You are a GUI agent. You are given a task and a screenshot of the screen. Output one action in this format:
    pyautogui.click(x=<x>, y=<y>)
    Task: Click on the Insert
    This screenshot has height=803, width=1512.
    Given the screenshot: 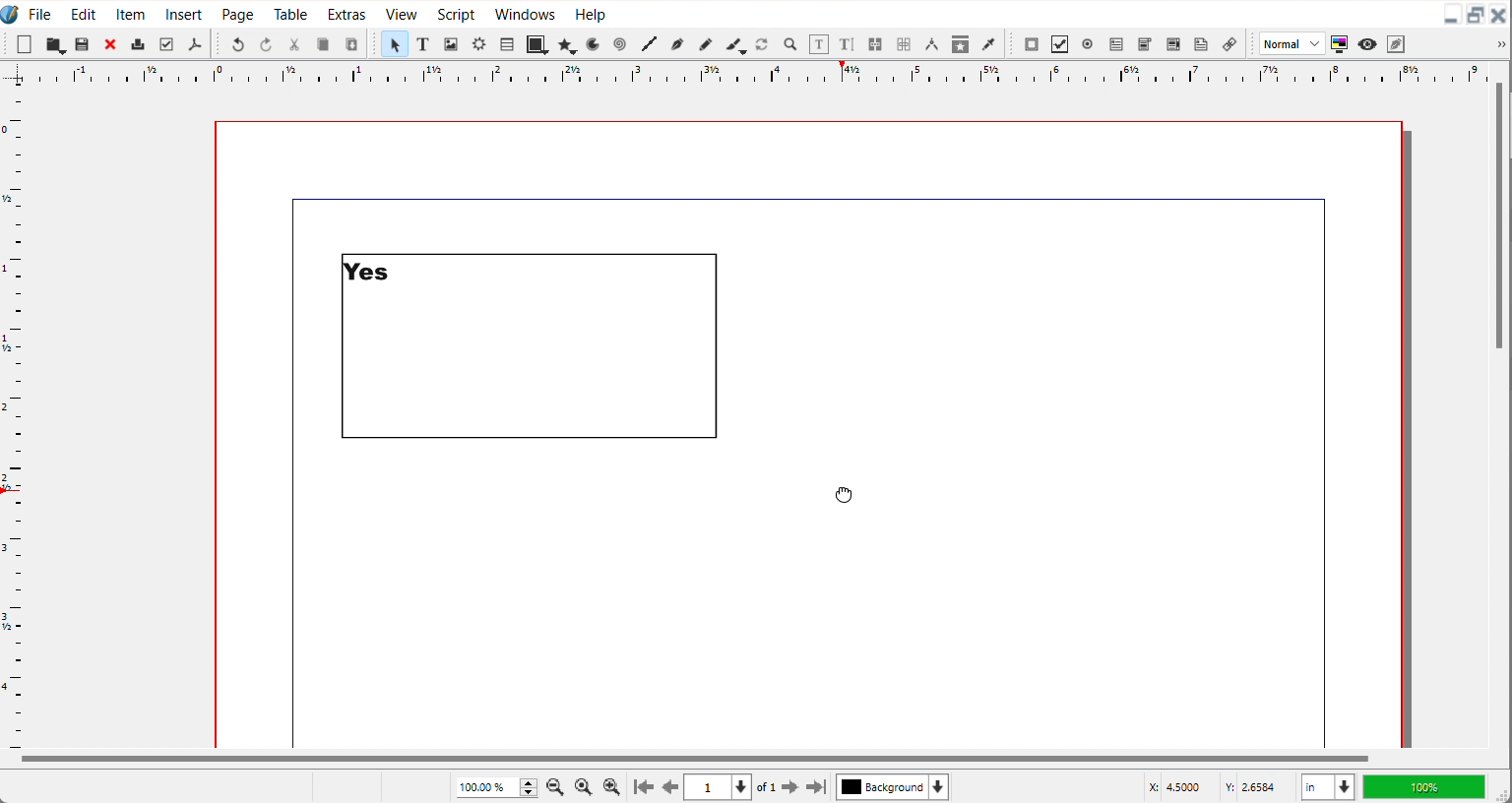 What is the action you would take?
    pyautogui.click(x=185, y=13)
    